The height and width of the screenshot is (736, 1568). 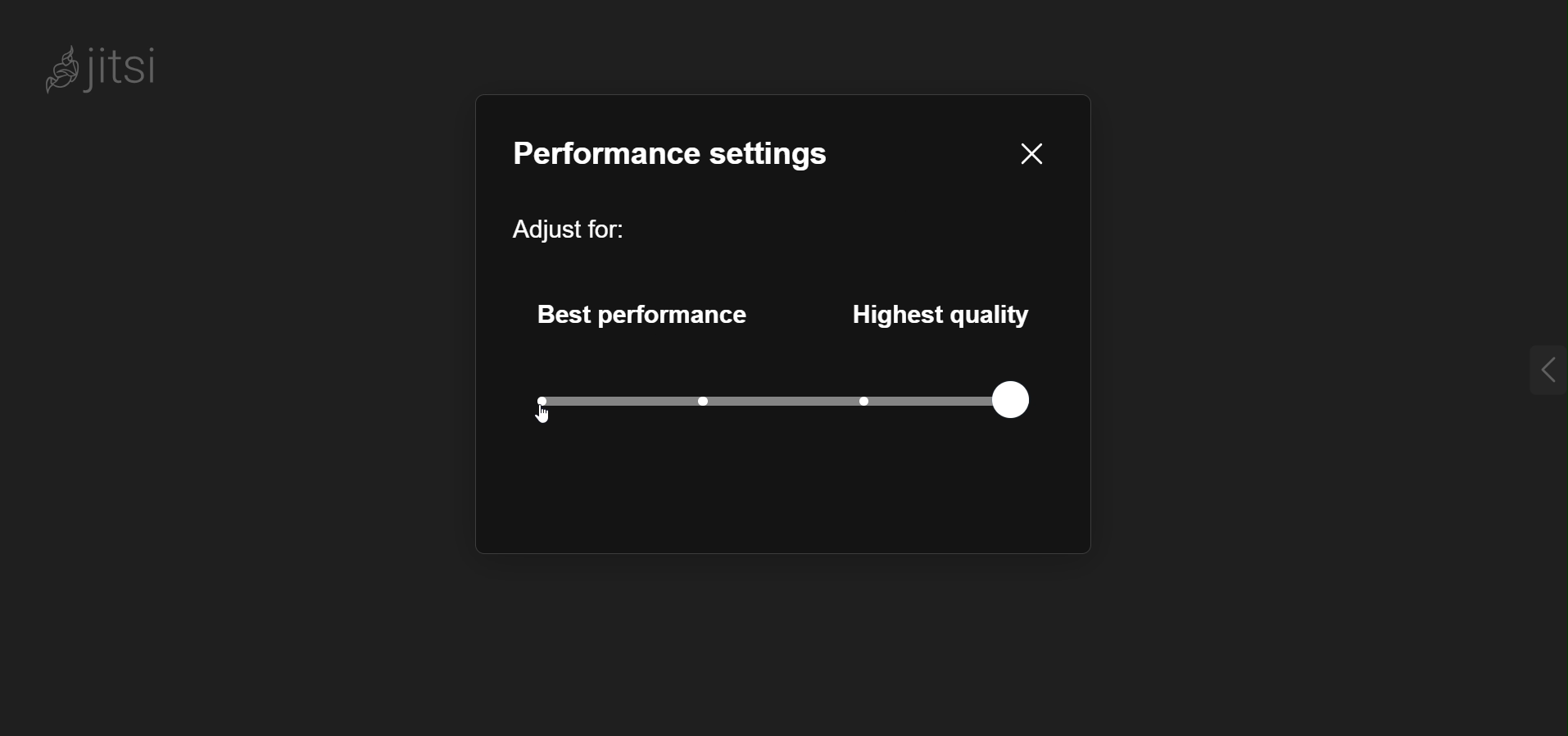 What do you see at coordinates (949, 313) in the screenshot?
I see `highest quality` at bounding box center [949, 313].